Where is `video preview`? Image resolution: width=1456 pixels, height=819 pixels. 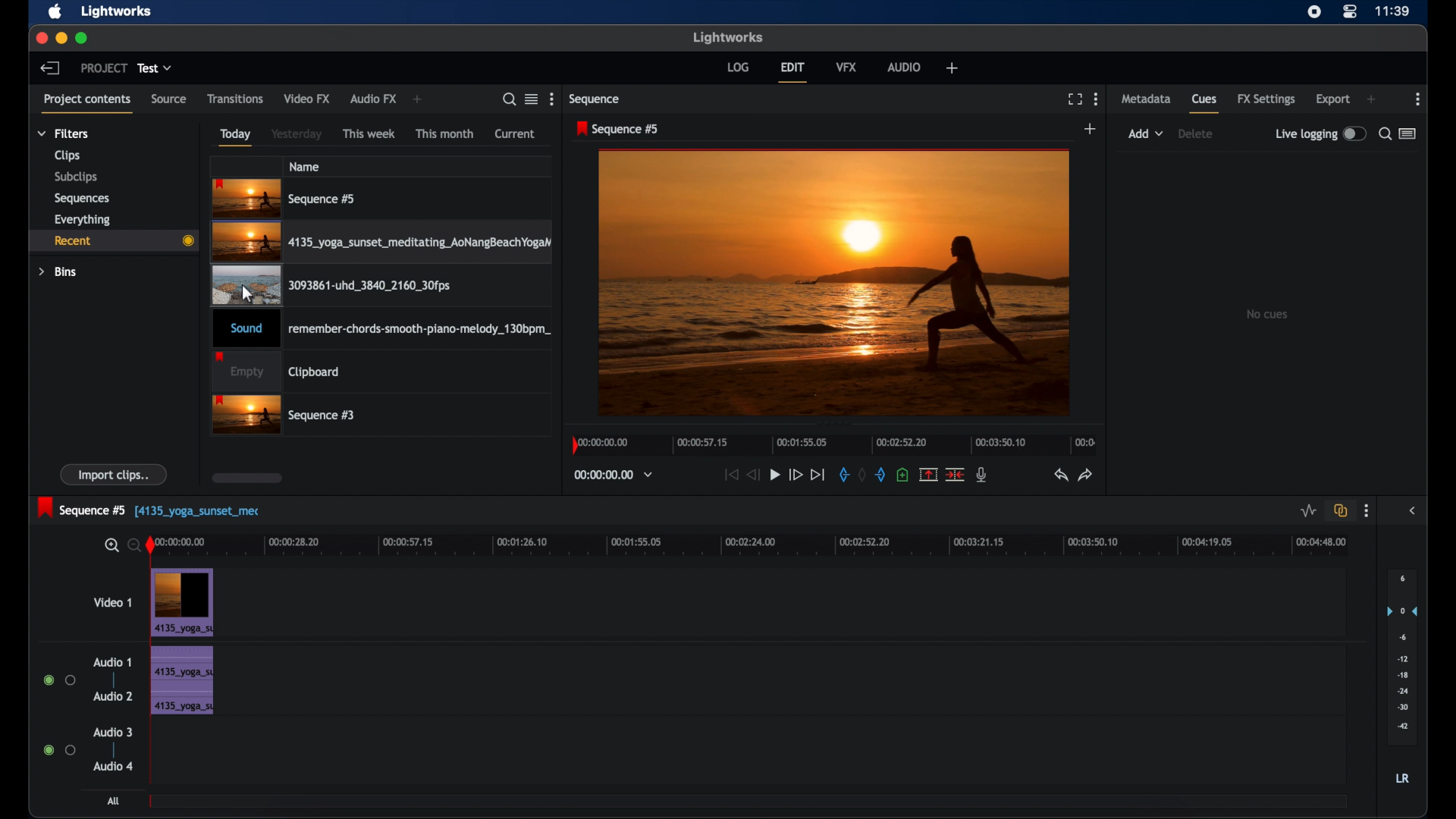
video preview is located at coordinates (836, 284).